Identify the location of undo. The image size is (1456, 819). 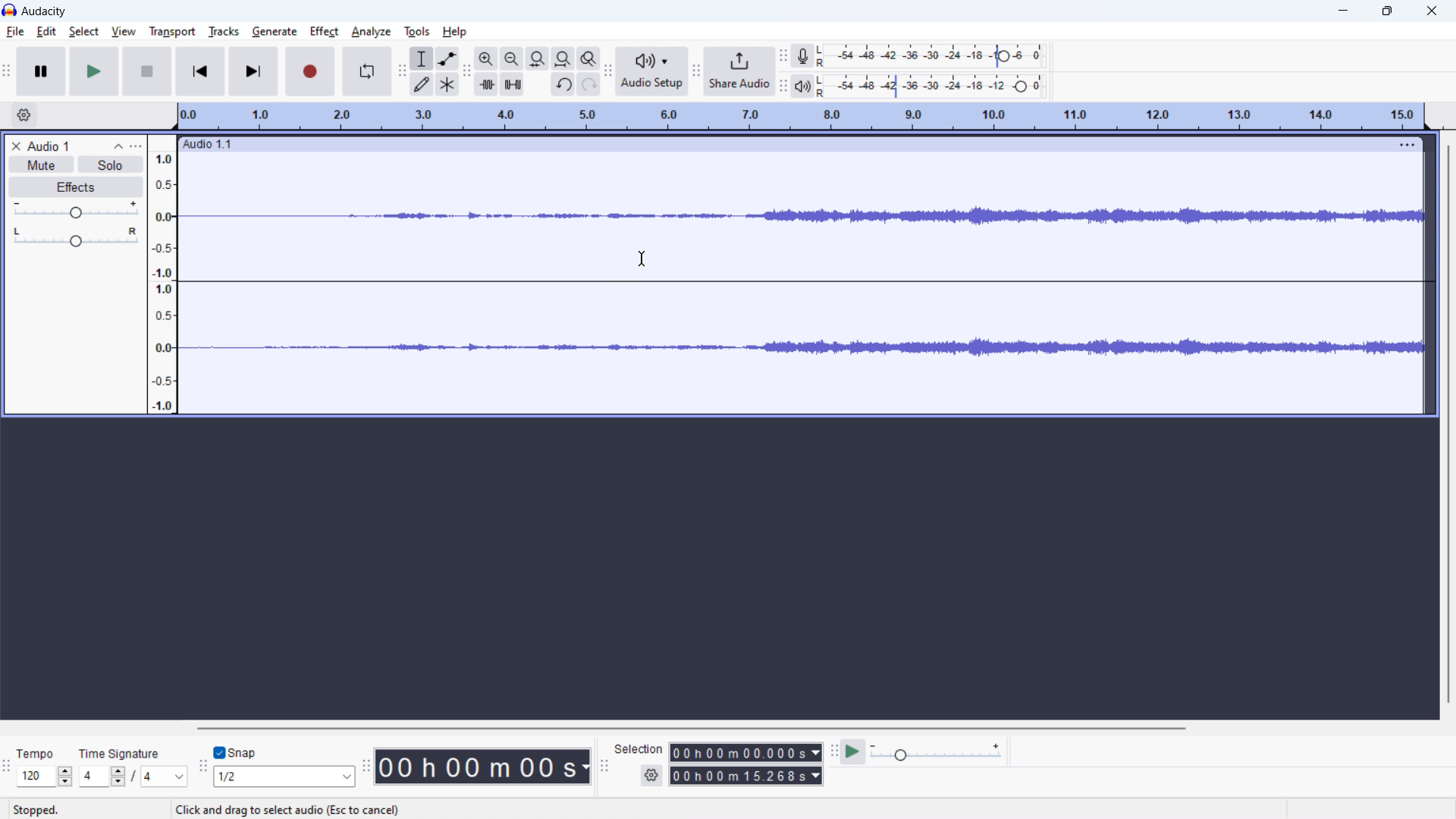
(562, 85).